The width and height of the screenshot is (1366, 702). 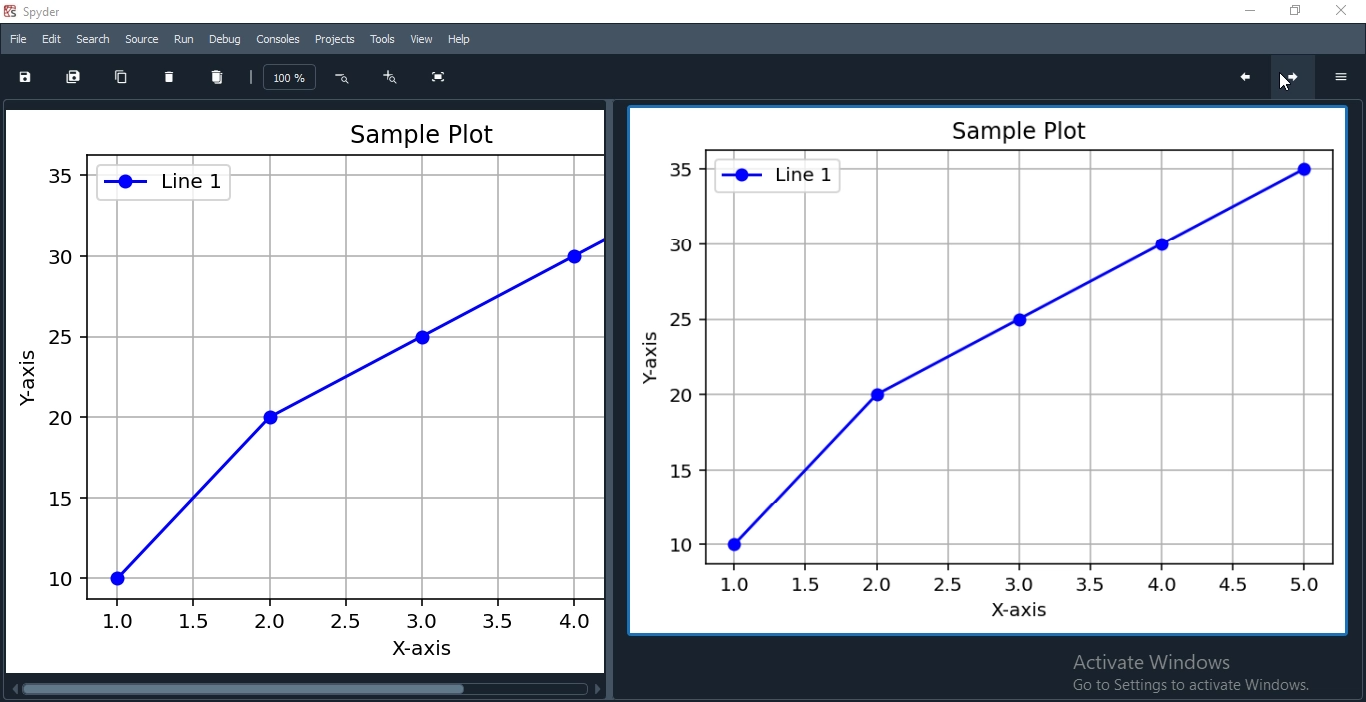 What do you see at coordinates (305, 690) in the screenshot?
I see `scroll bar` at bounding box center [305, 690].